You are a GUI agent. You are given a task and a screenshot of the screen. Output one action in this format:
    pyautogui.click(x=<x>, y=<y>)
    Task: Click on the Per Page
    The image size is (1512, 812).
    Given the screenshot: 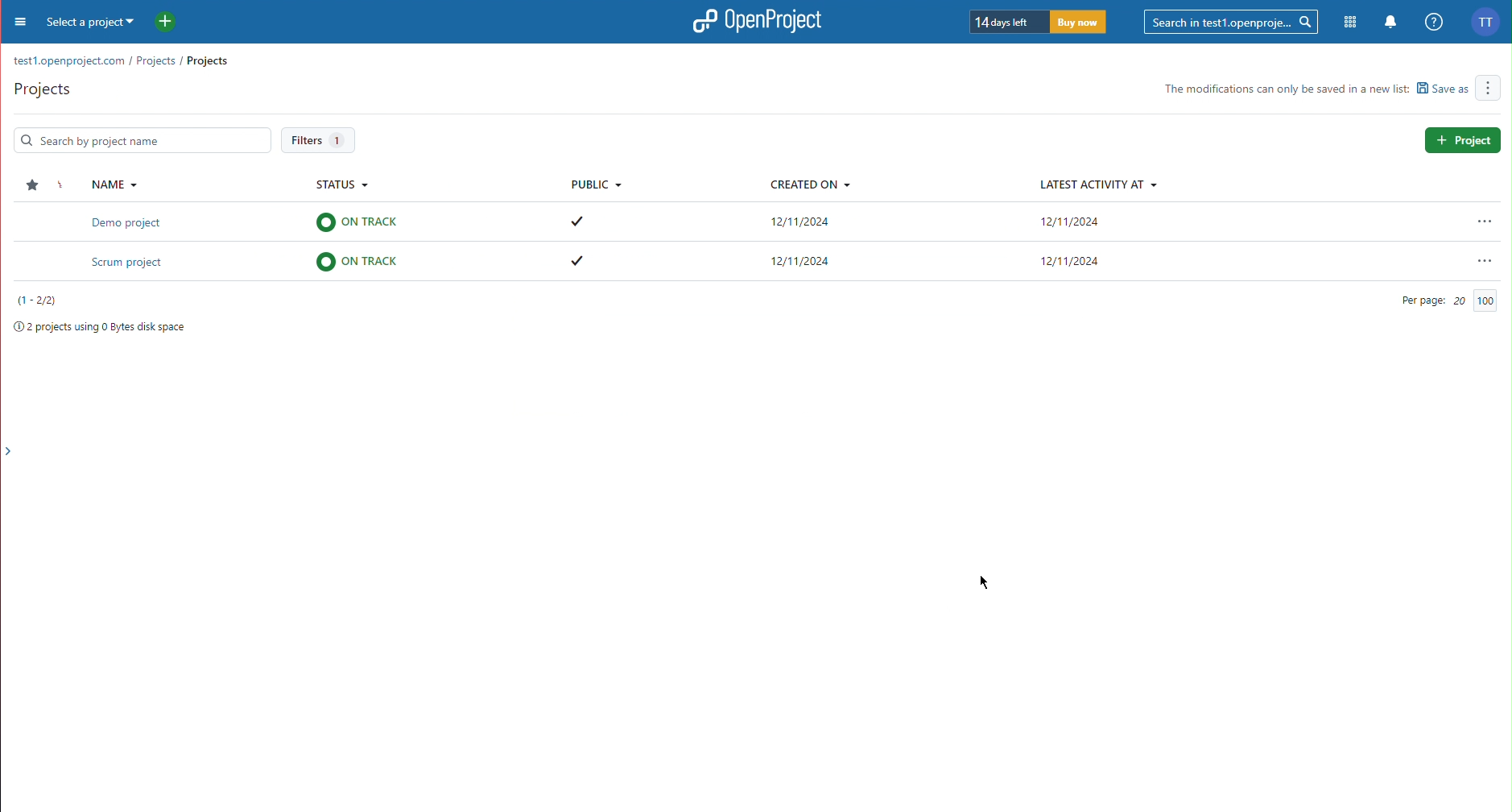 What is the action you would take?
    pyautogui.click(x=1448, y=300)
    